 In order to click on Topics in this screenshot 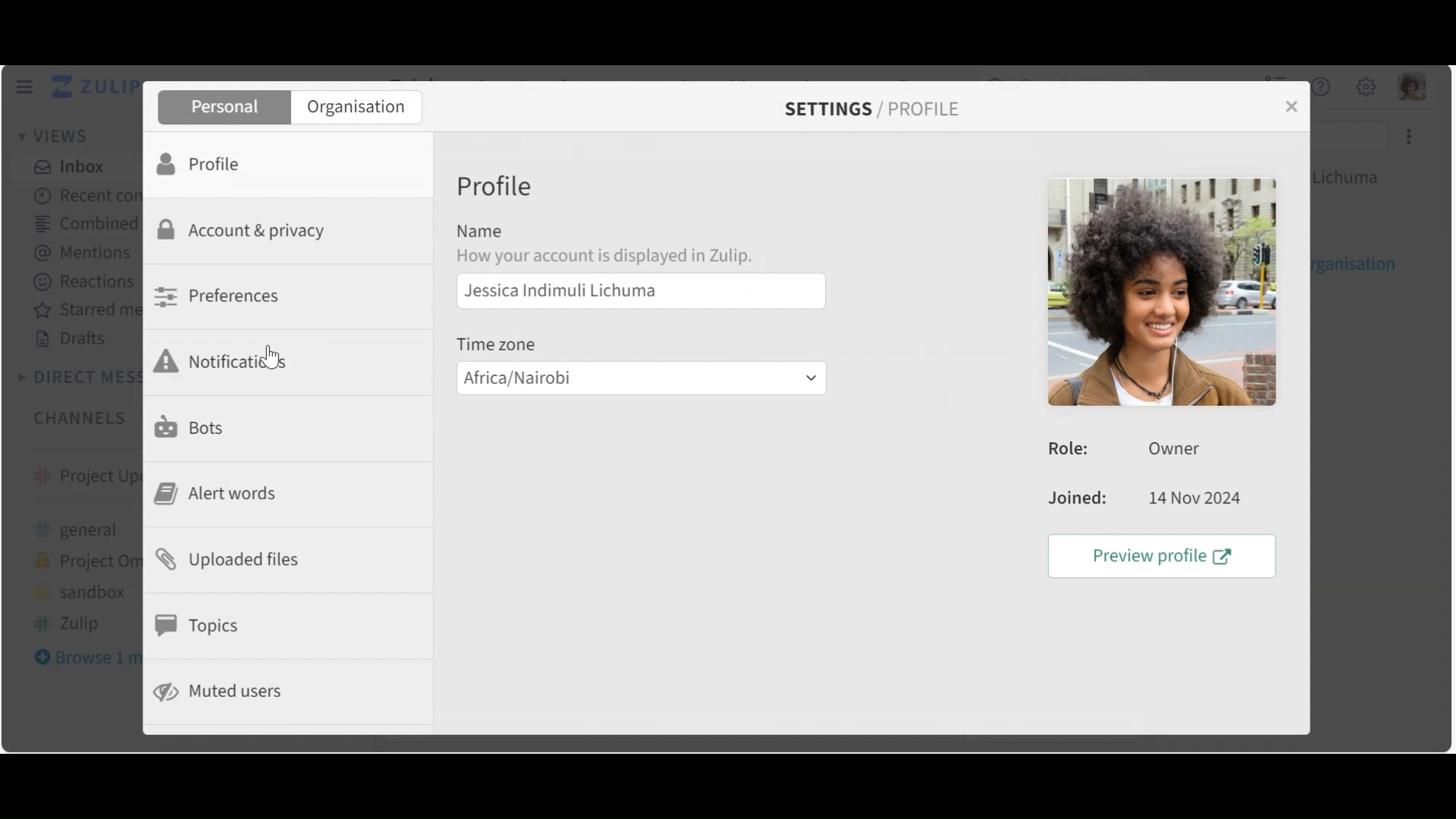, I will do `click(202, 626)`.